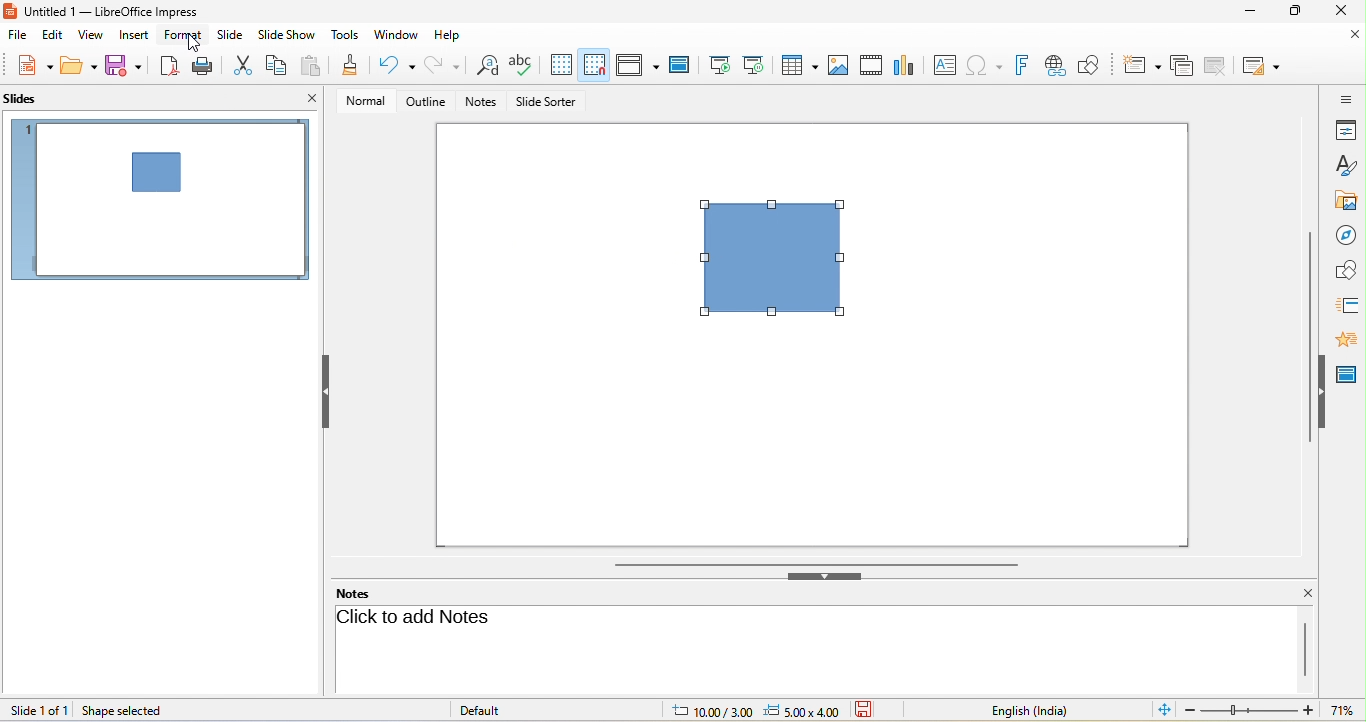  What do you see at coordinates (1248, 11) in the screenshot?
I see `minimize` at bounding box center [1248, 11].